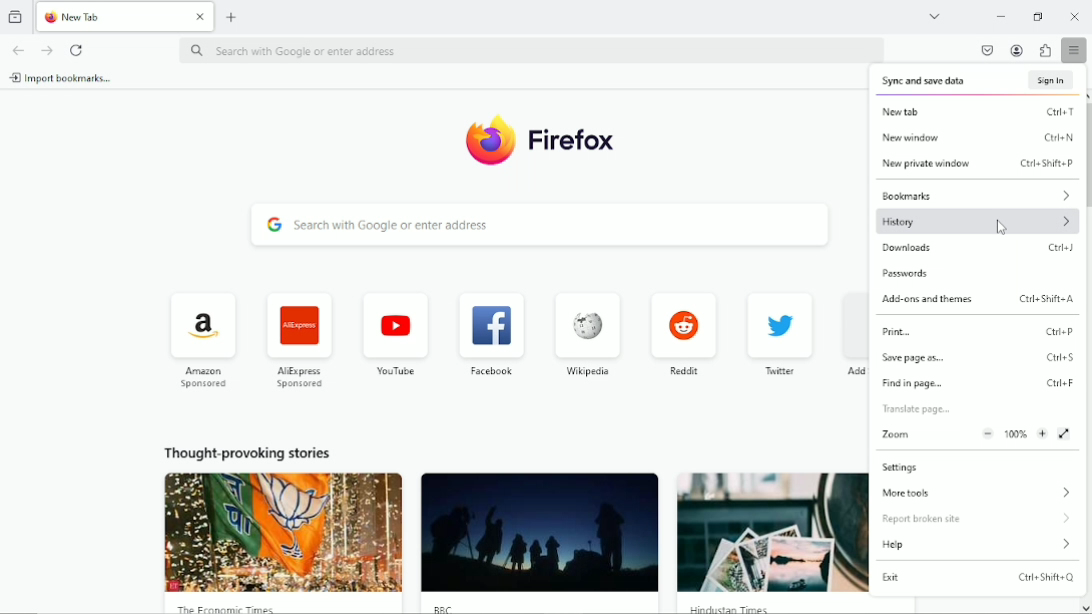 This screenshot has height=614, width=1092. Describe the element at coordinates (977, 494) in the screenshot. I see `More tools >` at that location.